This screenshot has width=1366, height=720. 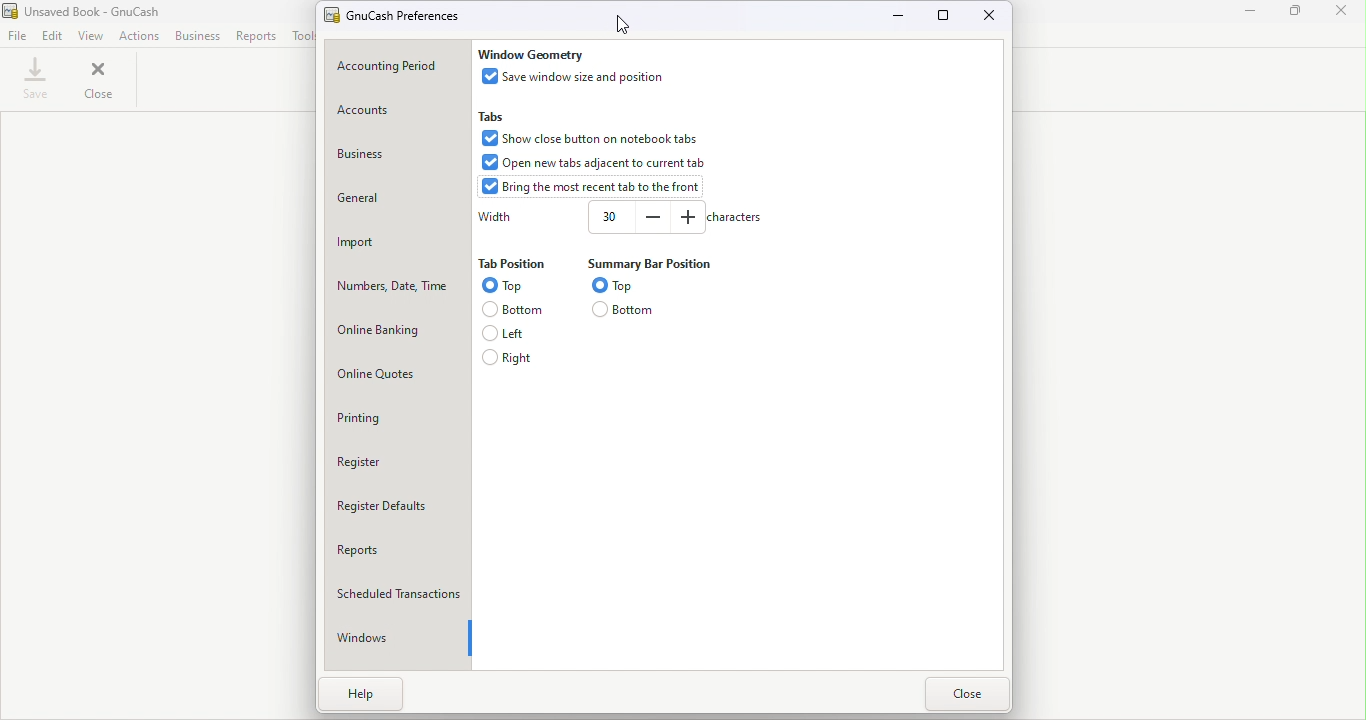 What do you see at coordinates (391, 160) in the screenshot?
I see `Business` at bounding box center [391, 160].